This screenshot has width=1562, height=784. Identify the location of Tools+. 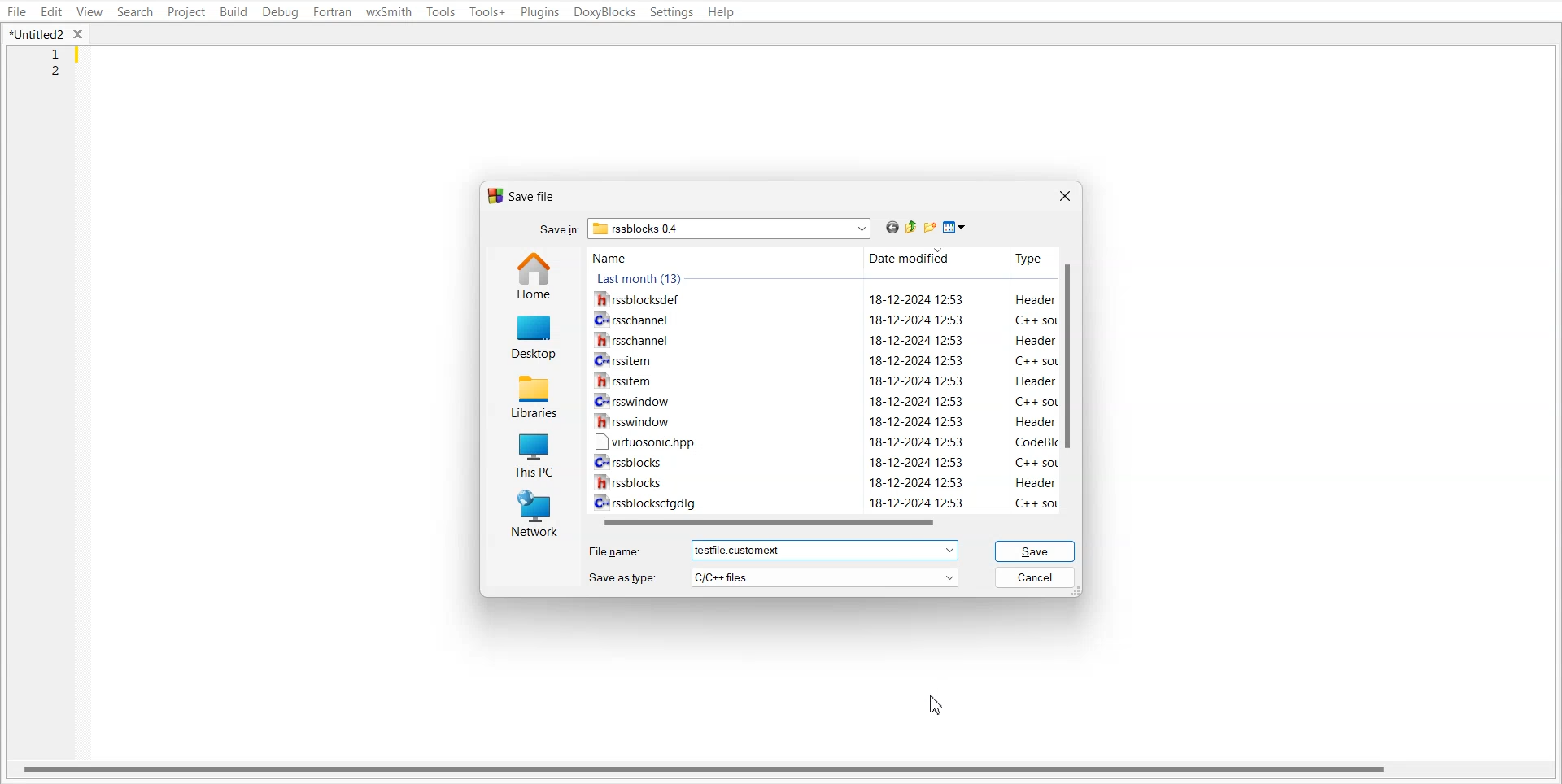
(487, 12).